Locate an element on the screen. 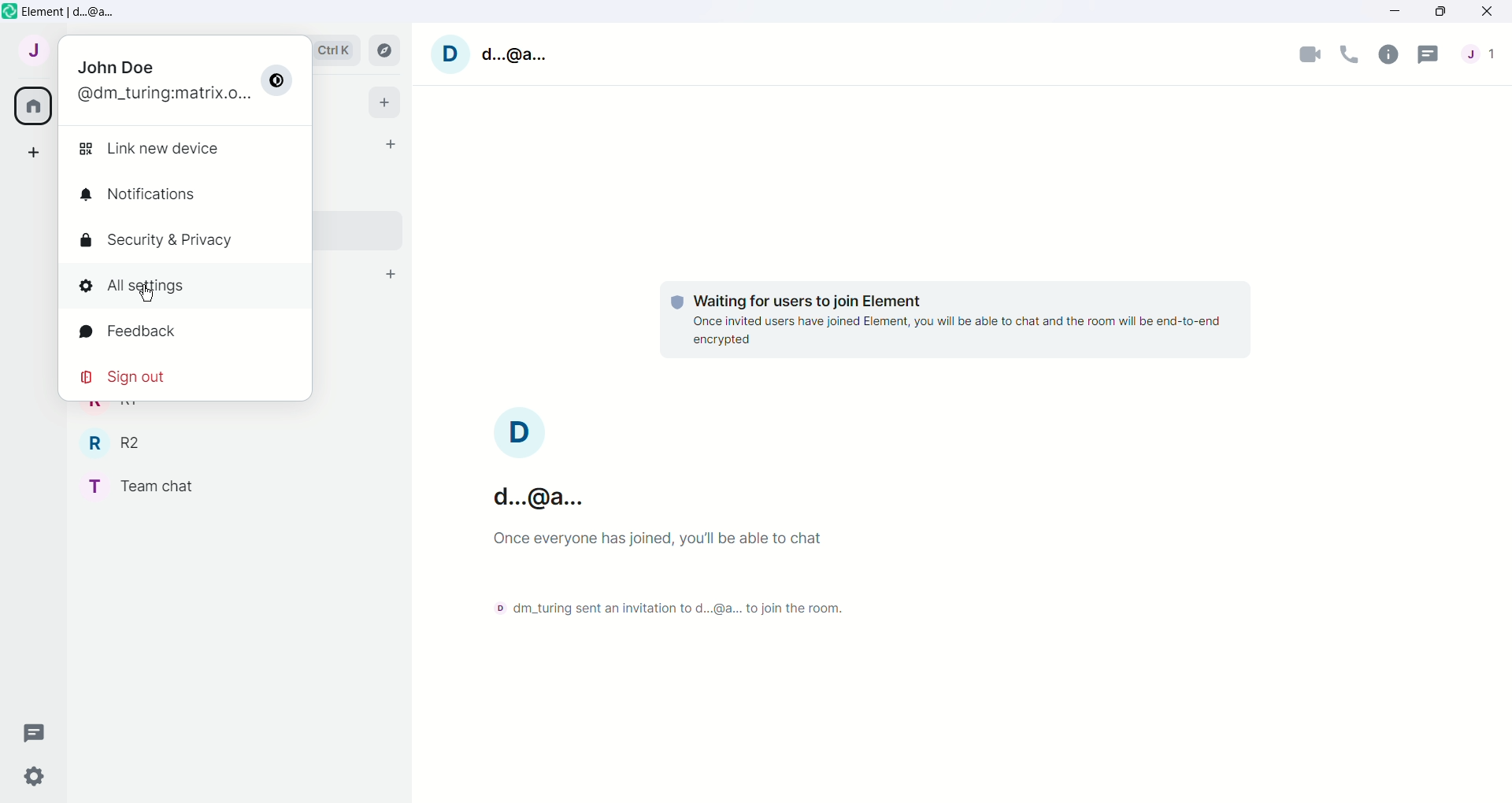  Threads is located at coordinates (1429, 57).